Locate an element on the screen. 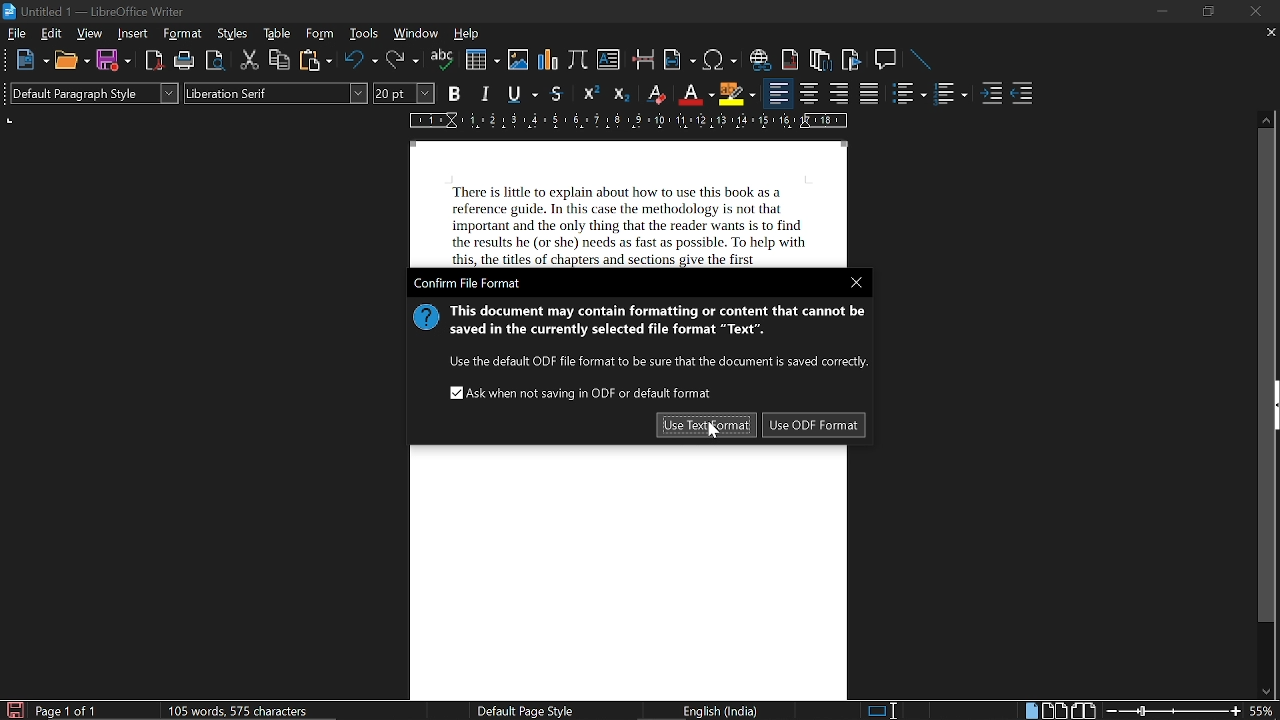 This screenshot has width=1280, height=720. insert endnote is located at coordinates (820, 58).